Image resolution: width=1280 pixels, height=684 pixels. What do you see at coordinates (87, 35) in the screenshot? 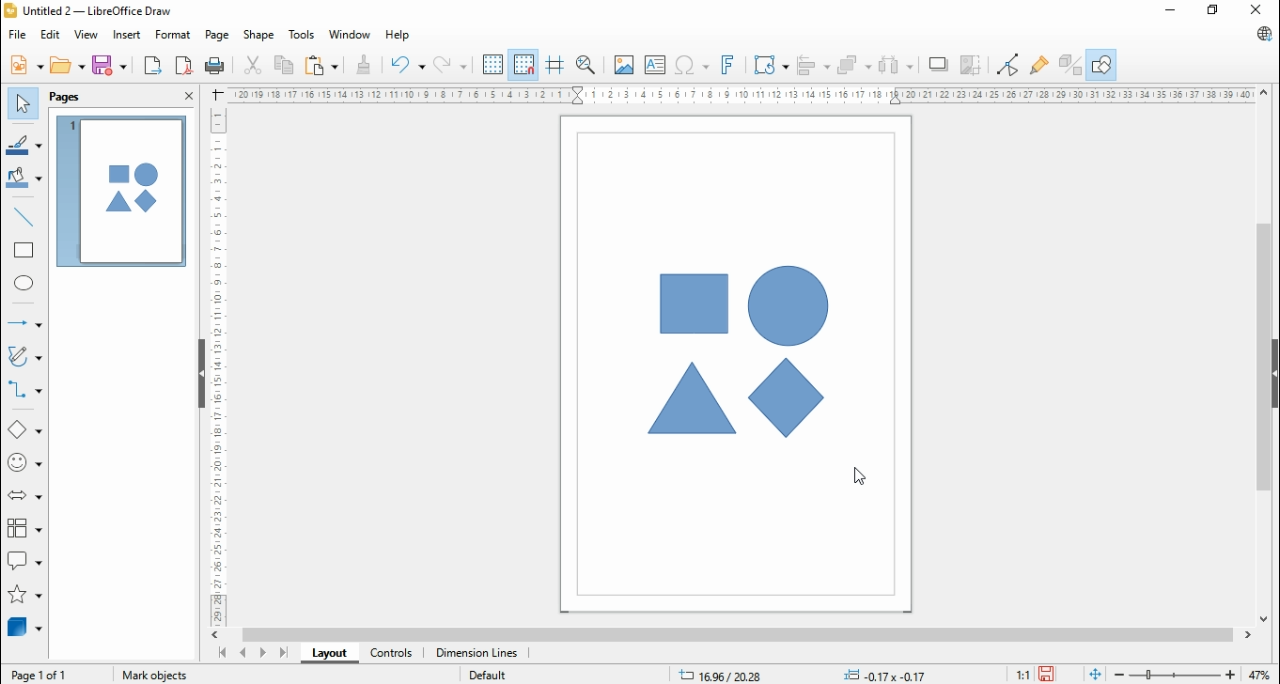
I see `view` at bounding box center [87, 35].